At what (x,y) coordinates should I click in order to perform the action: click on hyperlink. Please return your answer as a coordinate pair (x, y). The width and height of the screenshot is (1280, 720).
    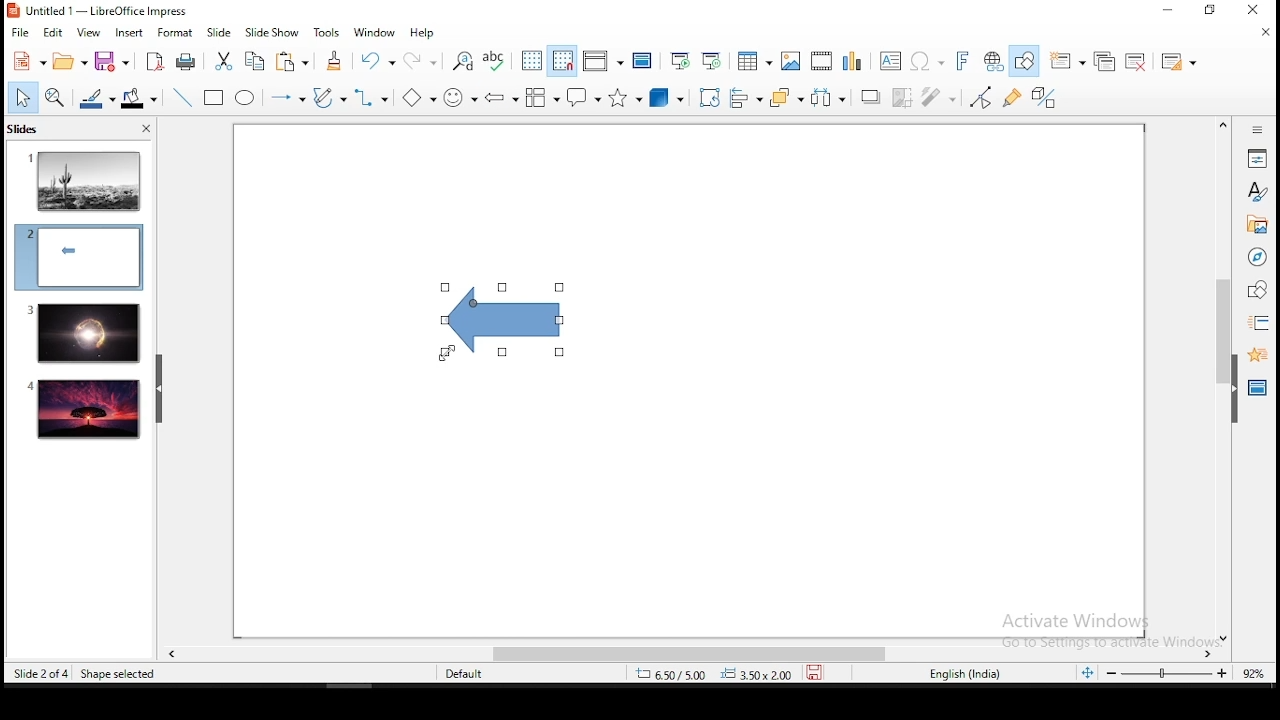
    Looking at the image, I should click on (994, 62).